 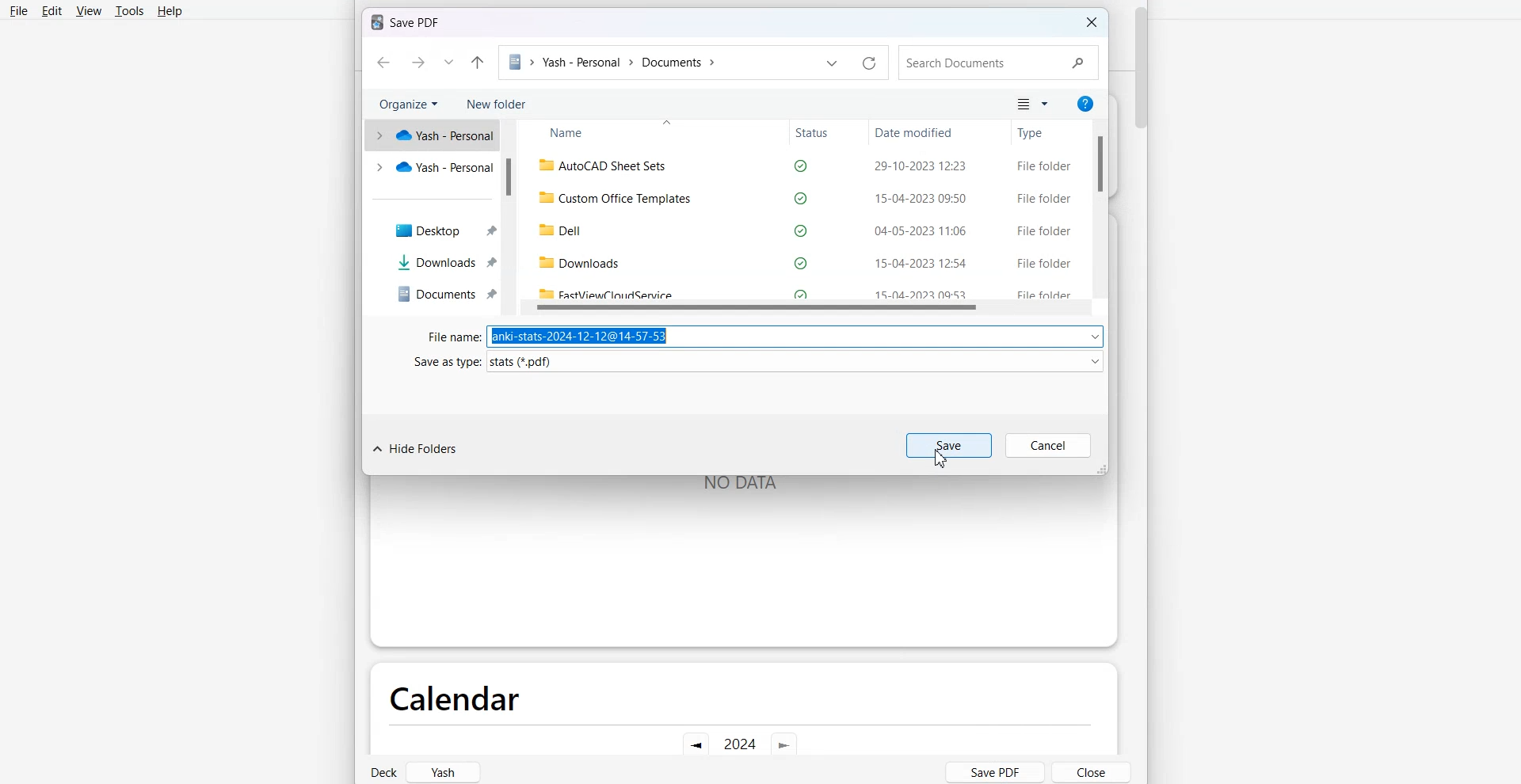 What do you see at coordinates (1043, 131) in the screenshot?
I see `Type` at bounding box center [1043, 131].